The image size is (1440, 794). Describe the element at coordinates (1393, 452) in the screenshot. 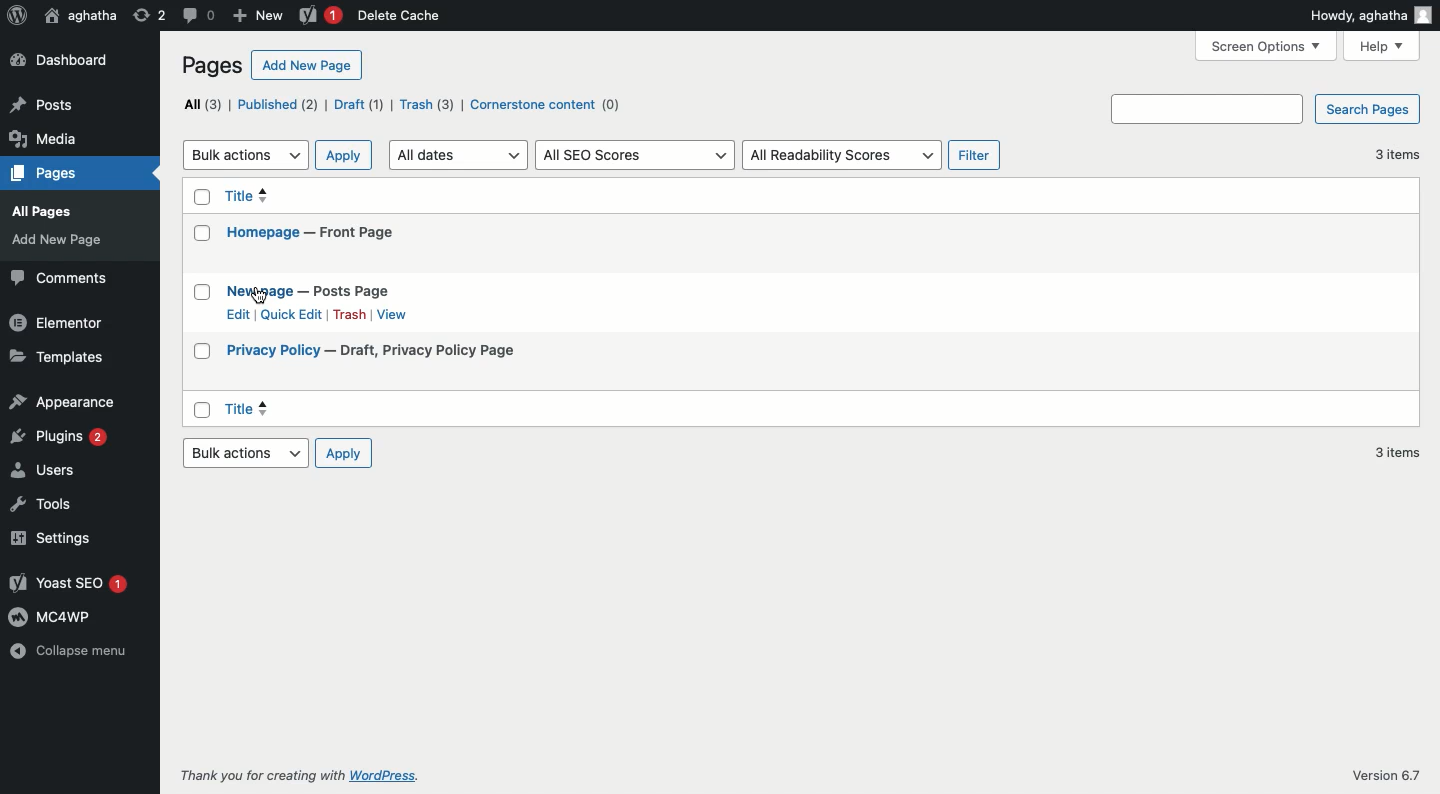

I see `3 items` at that location.